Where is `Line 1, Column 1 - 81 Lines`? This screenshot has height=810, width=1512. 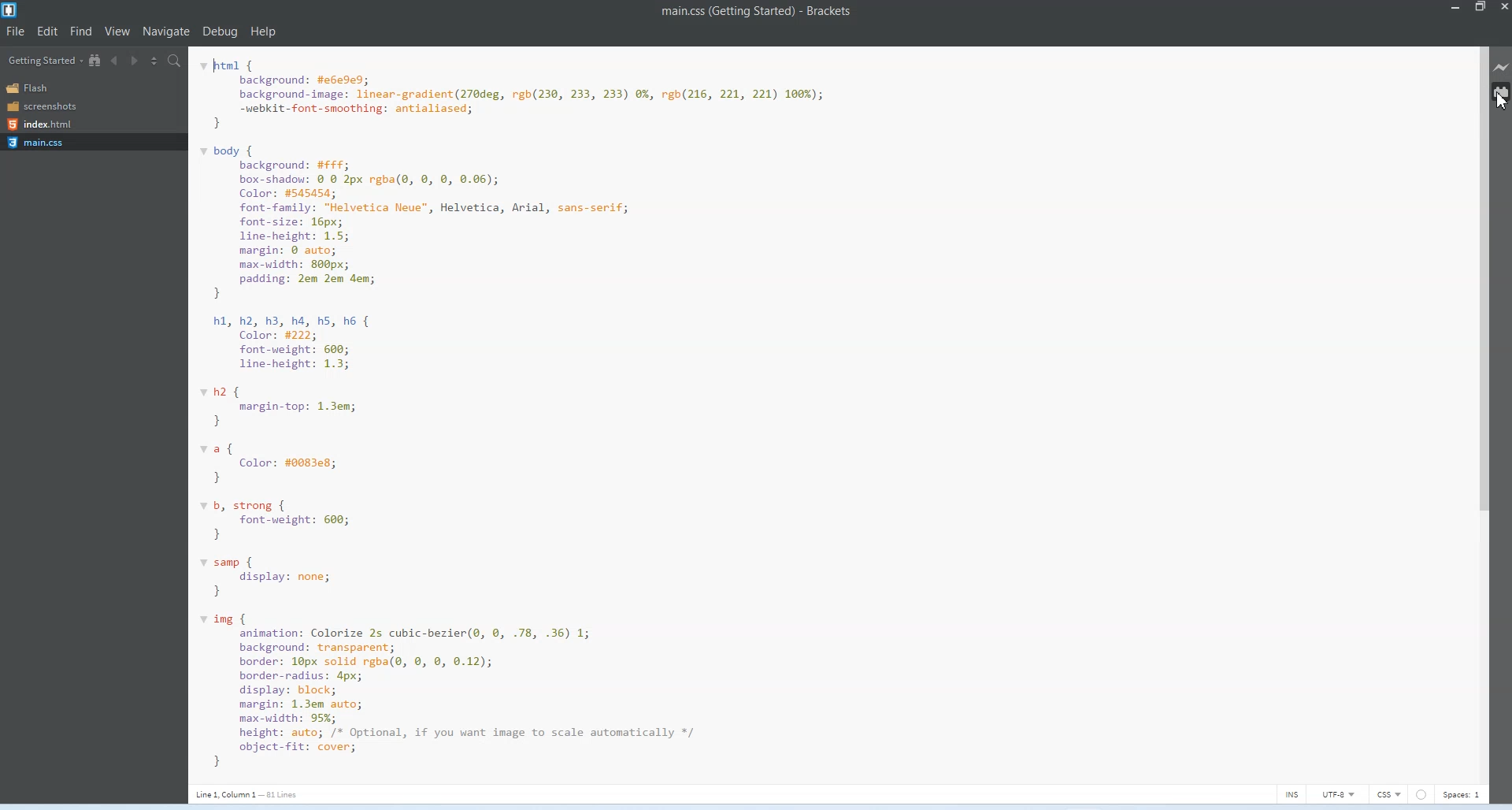 Line 1, Column 1 - 81 Lines is located at coordinates (250, 793).